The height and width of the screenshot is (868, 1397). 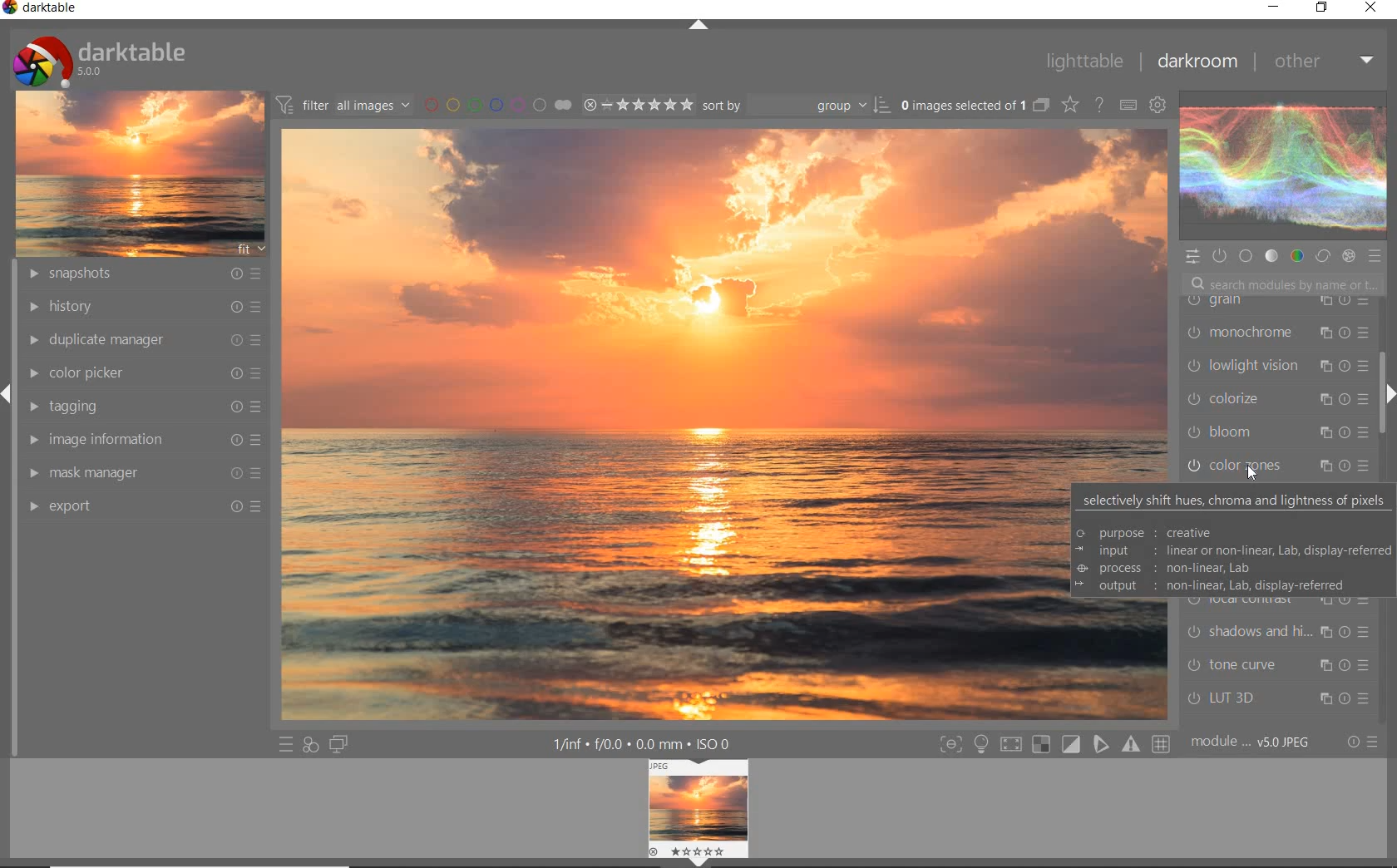 What do you see at coordinates (143, 472) in the screenshot?
I see `MASK MANAGER` at bounding box center [143, 472].